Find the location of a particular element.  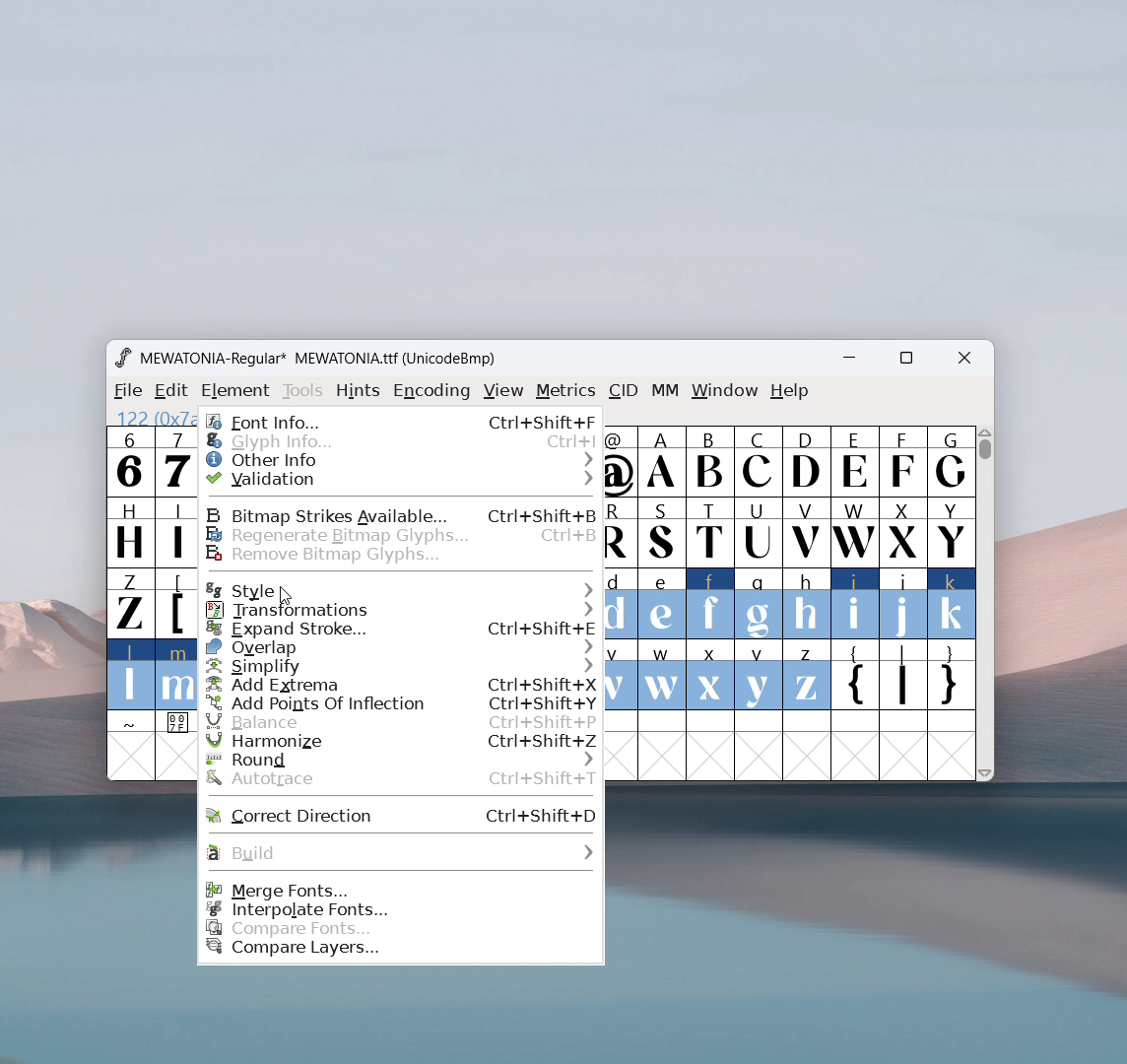

merge fonts is located at coordinates (400, 889).